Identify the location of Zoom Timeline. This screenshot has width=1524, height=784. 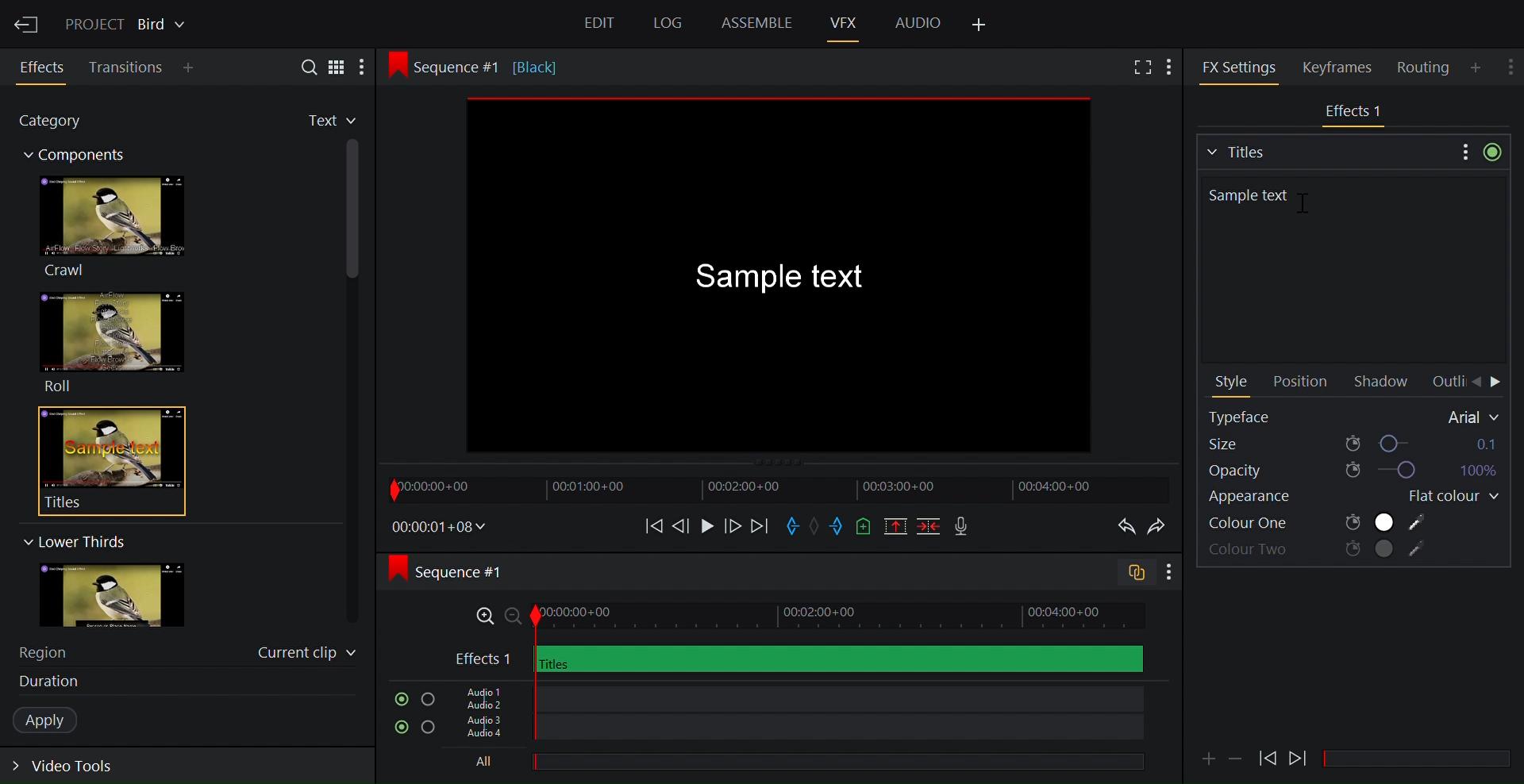
(799, 617).